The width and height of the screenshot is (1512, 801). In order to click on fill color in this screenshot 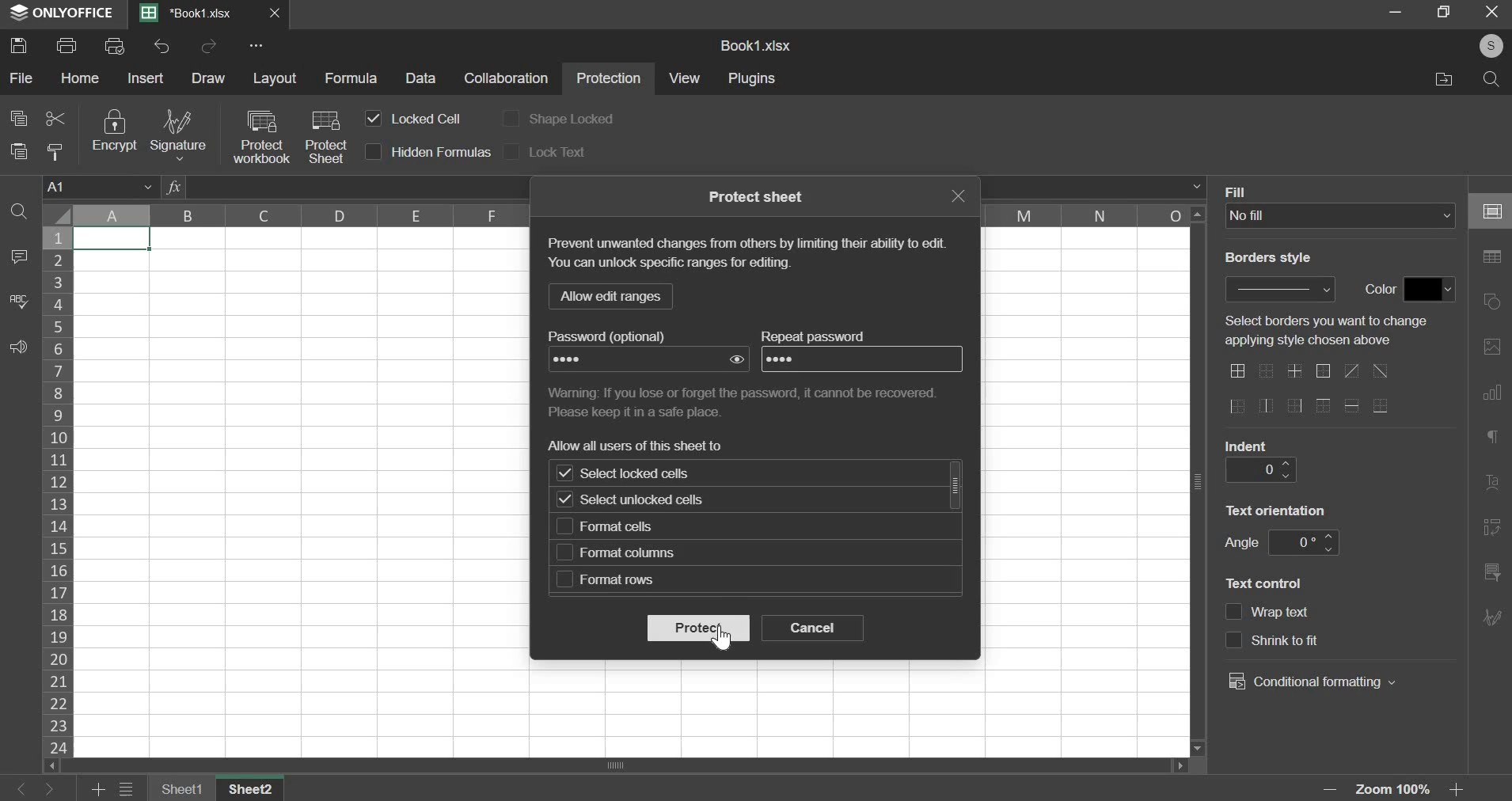, I will do `click(1430, 289)`.